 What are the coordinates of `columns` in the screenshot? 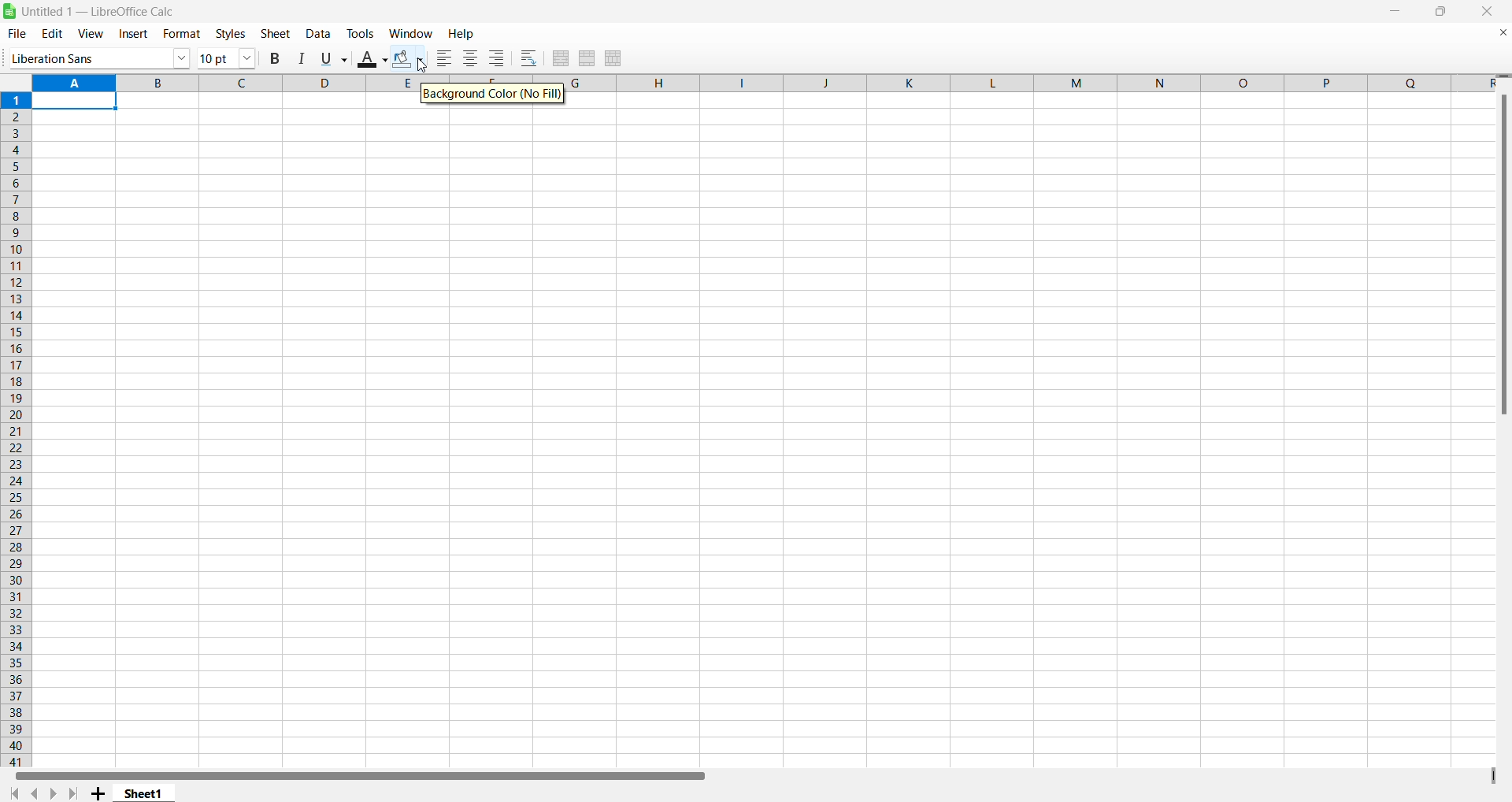 It's located at (1044, 85).